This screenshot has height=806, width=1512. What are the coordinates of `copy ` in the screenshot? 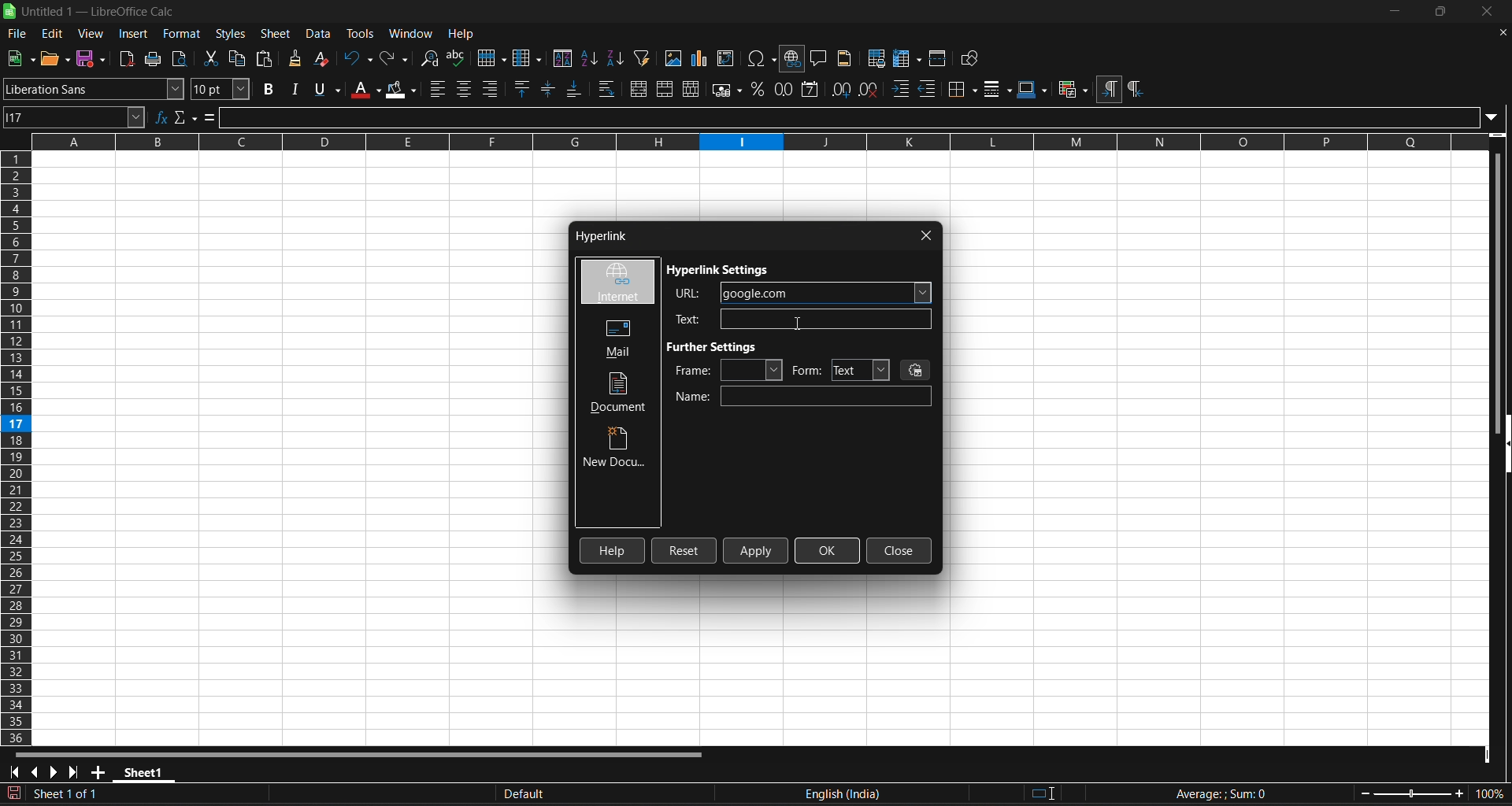 It's located at (239, 57).